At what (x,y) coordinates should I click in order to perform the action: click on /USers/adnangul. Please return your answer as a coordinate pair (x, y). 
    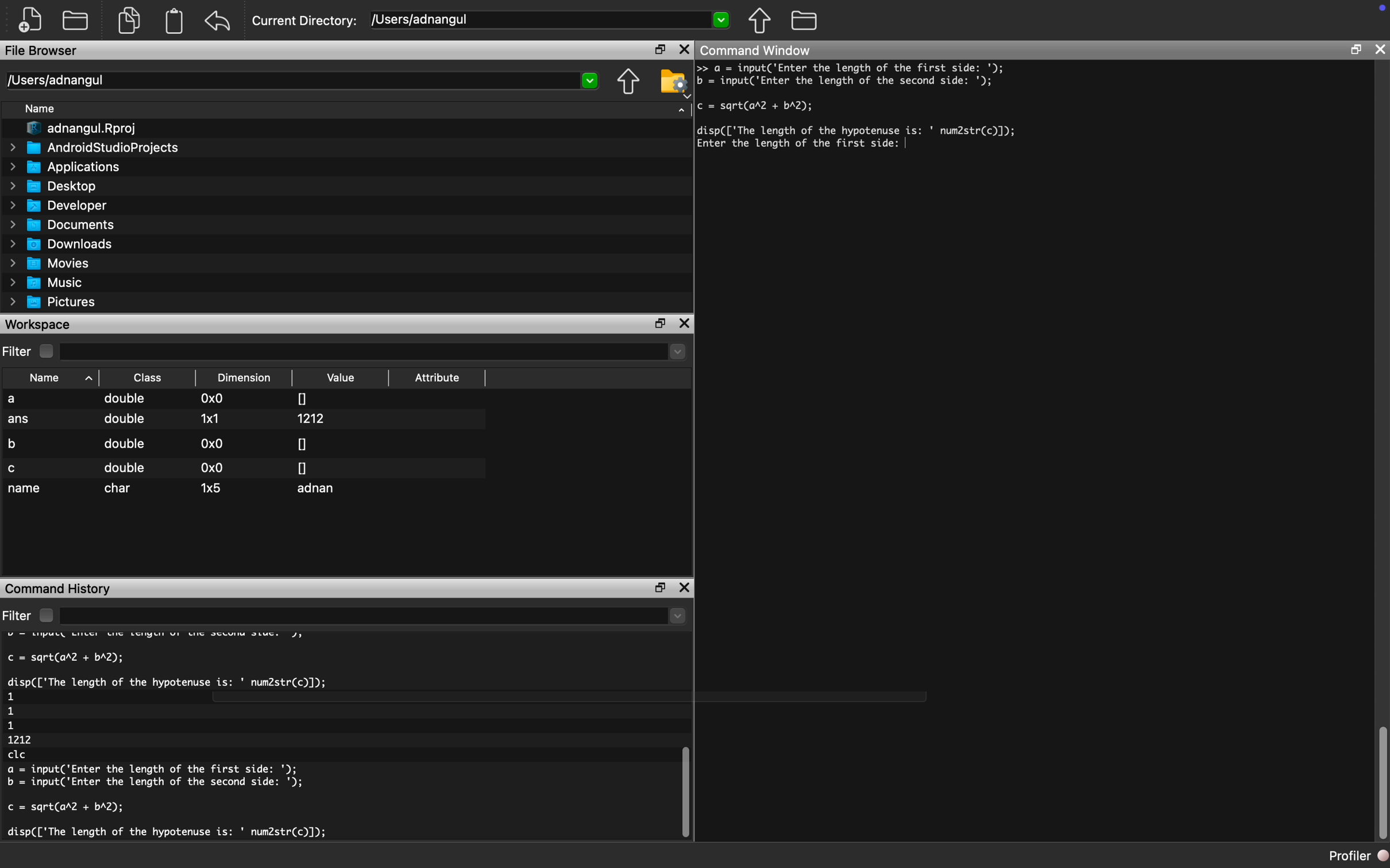
    Looking at the image, I should click on (551, 20).